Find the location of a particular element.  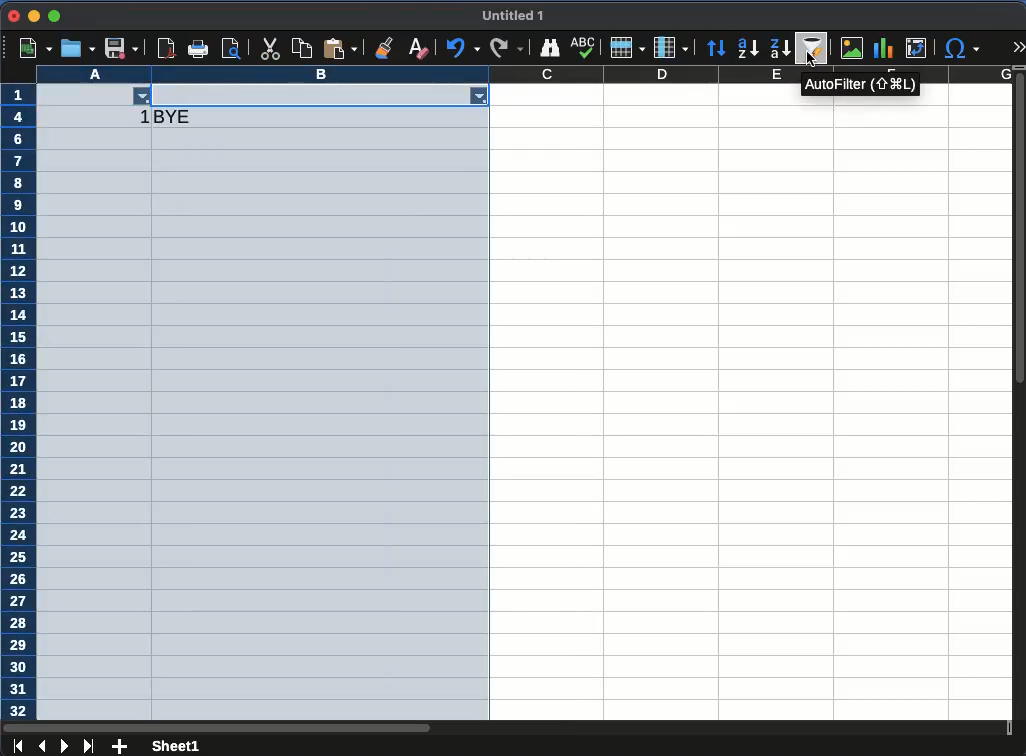

finder is located at coordinates (550, 48).